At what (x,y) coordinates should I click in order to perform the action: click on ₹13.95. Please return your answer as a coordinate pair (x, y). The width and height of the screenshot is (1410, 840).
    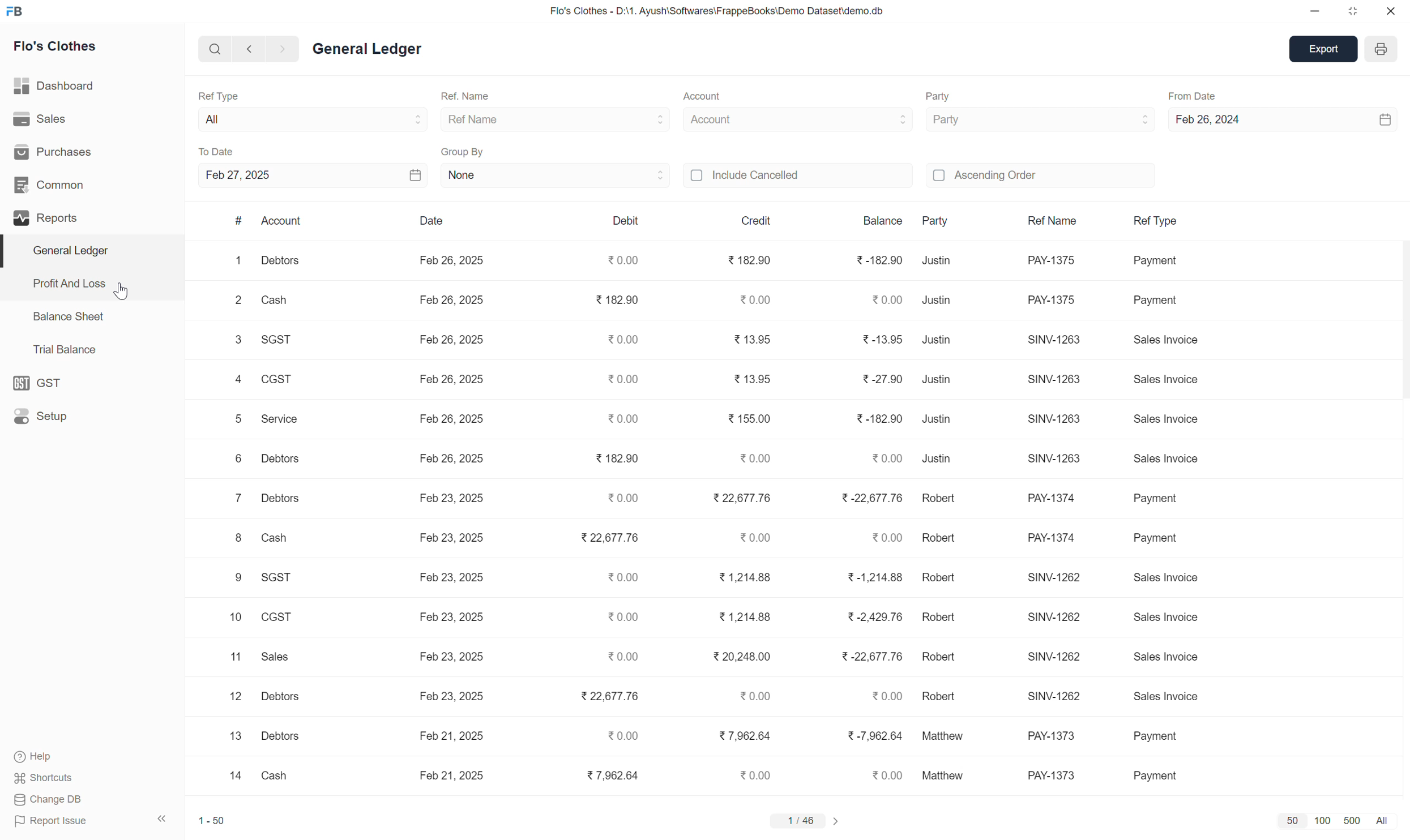
    Looking at the image, I should click on (755, 378).